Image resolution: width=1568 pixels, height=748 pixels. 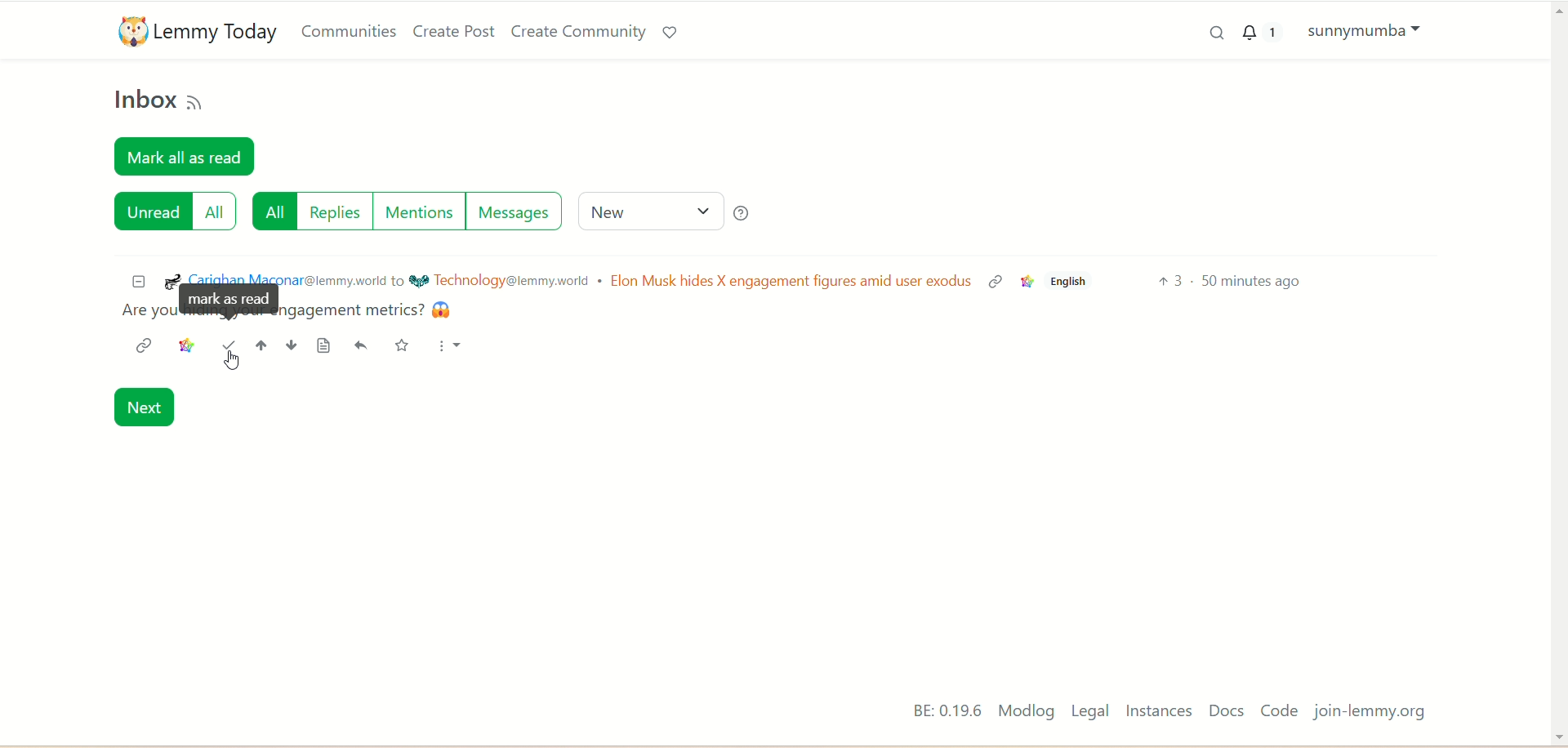 What do you see at coordinates (1374, 712) in the screenshot?
I see `join-lemmy.org` at bounding box center [1374, 712].